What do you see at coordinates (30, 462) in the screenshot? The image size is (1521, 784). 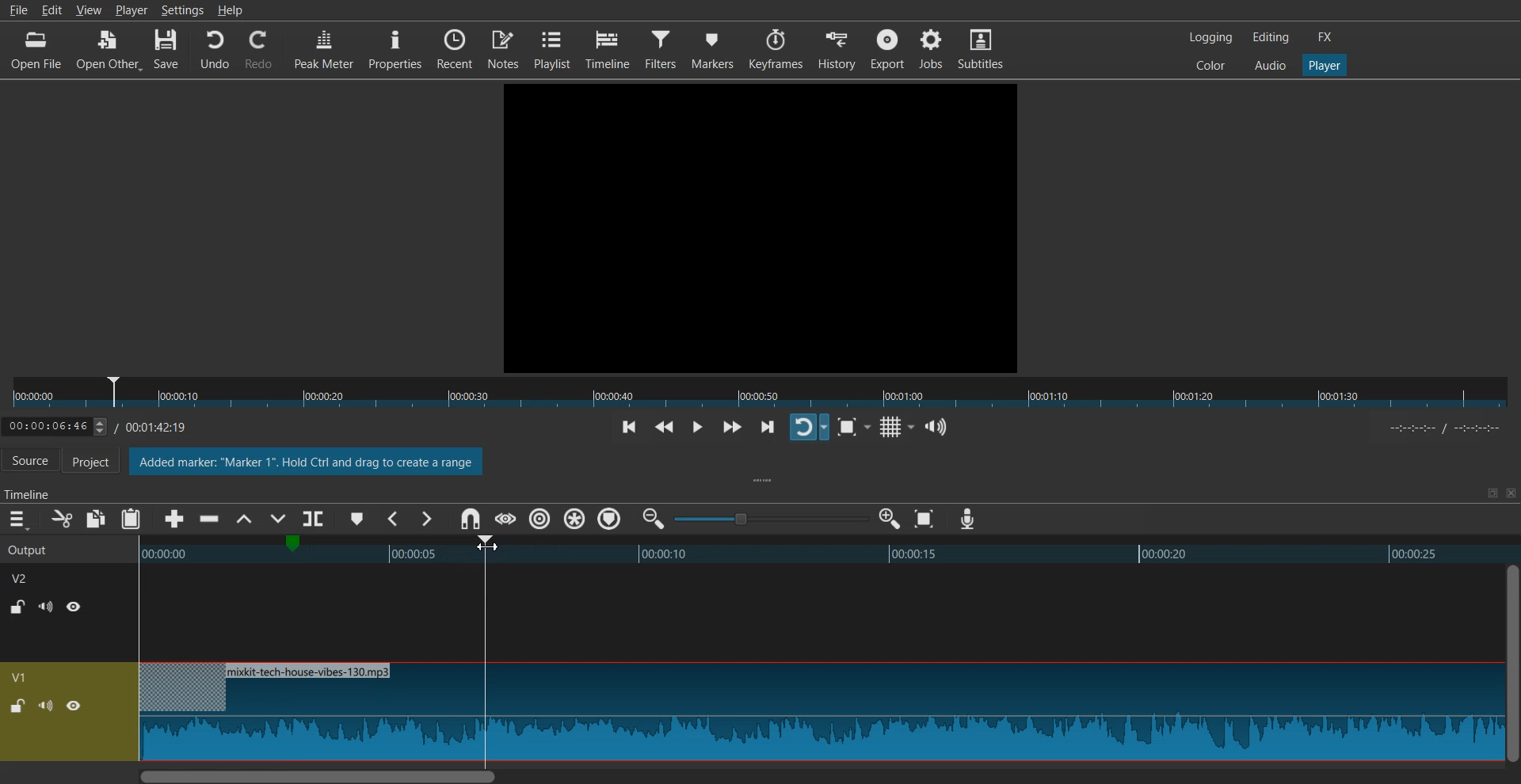 I see `Source` at bounding box center [30, 462].